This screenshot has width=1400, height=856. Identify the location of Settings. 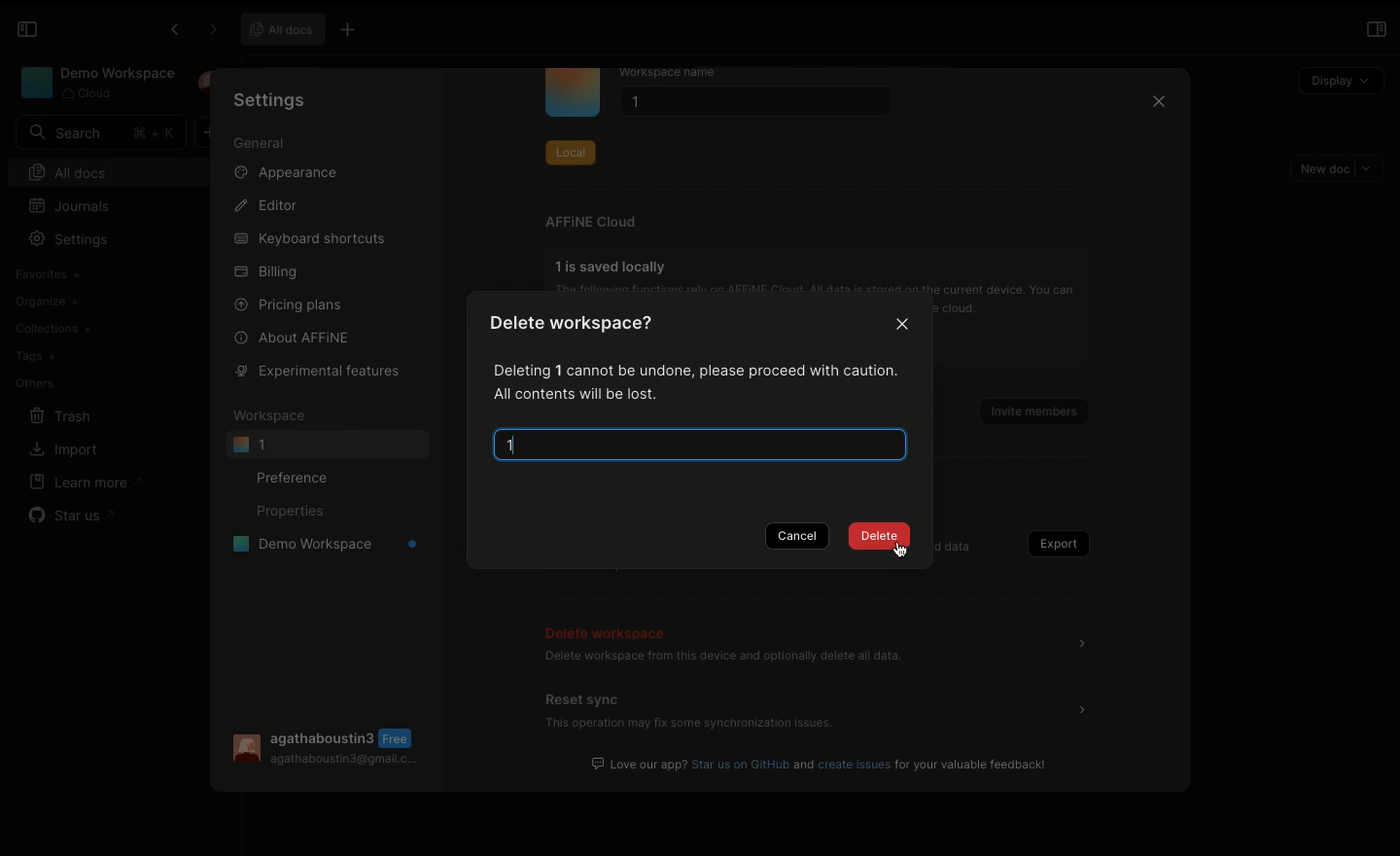
(74, 239).